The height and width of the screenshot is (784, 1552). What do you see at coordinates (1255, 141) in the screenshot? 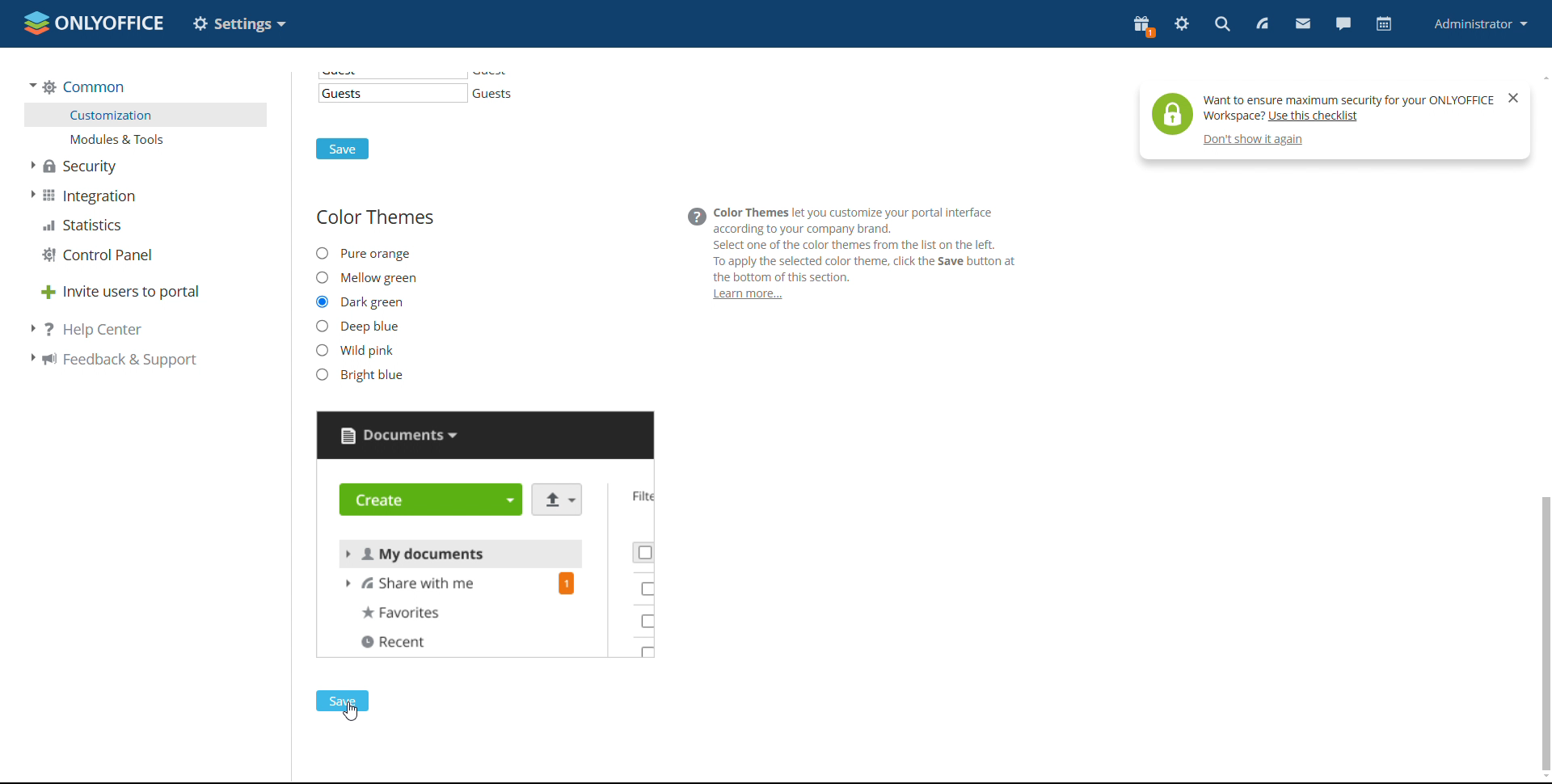
I see `don't show again` at bounding box center [1255, 141].